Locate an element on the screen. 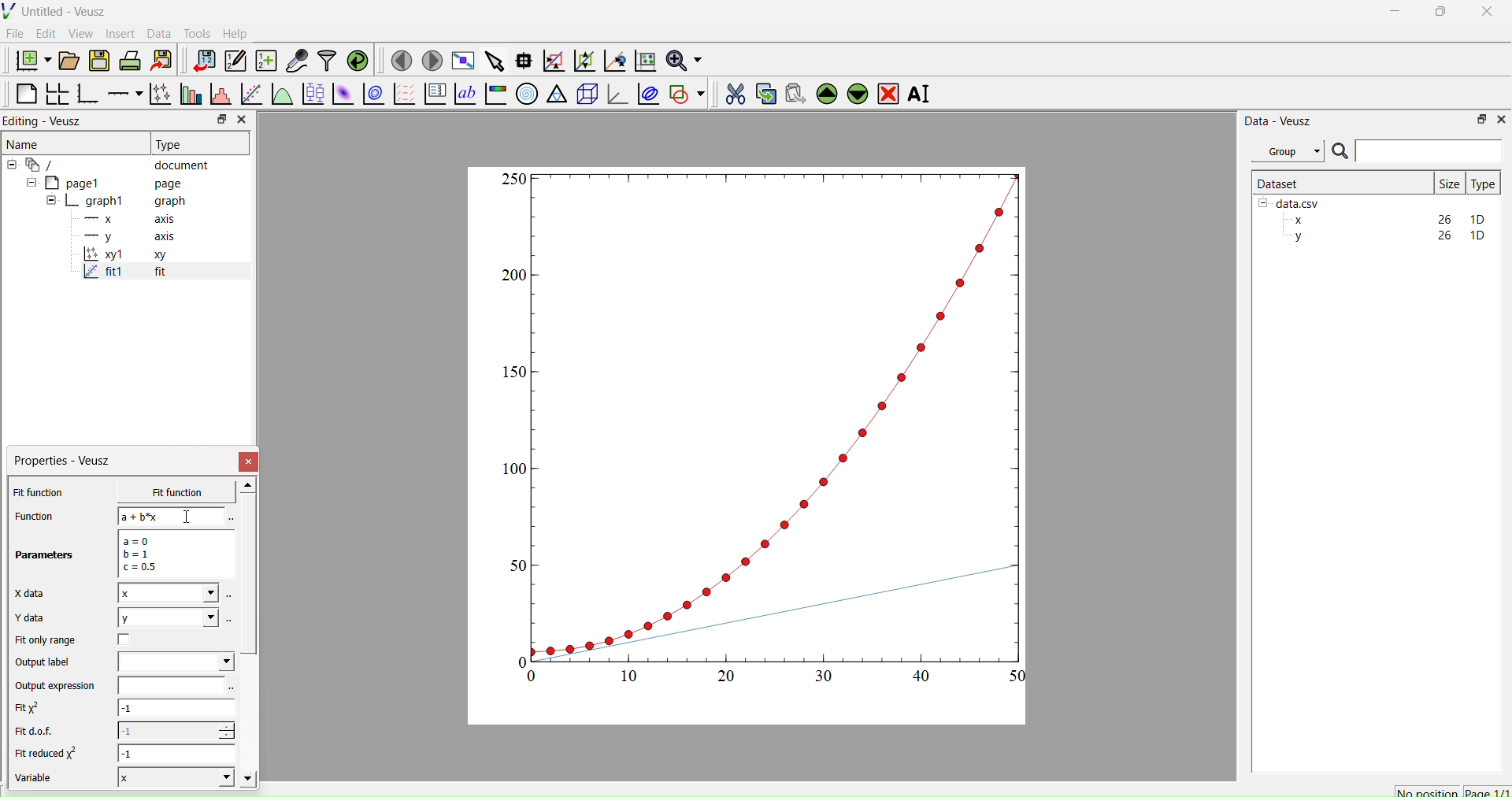 This screenshot has height=797, width=1512. Plot a function is located at coordinates (281, 95).